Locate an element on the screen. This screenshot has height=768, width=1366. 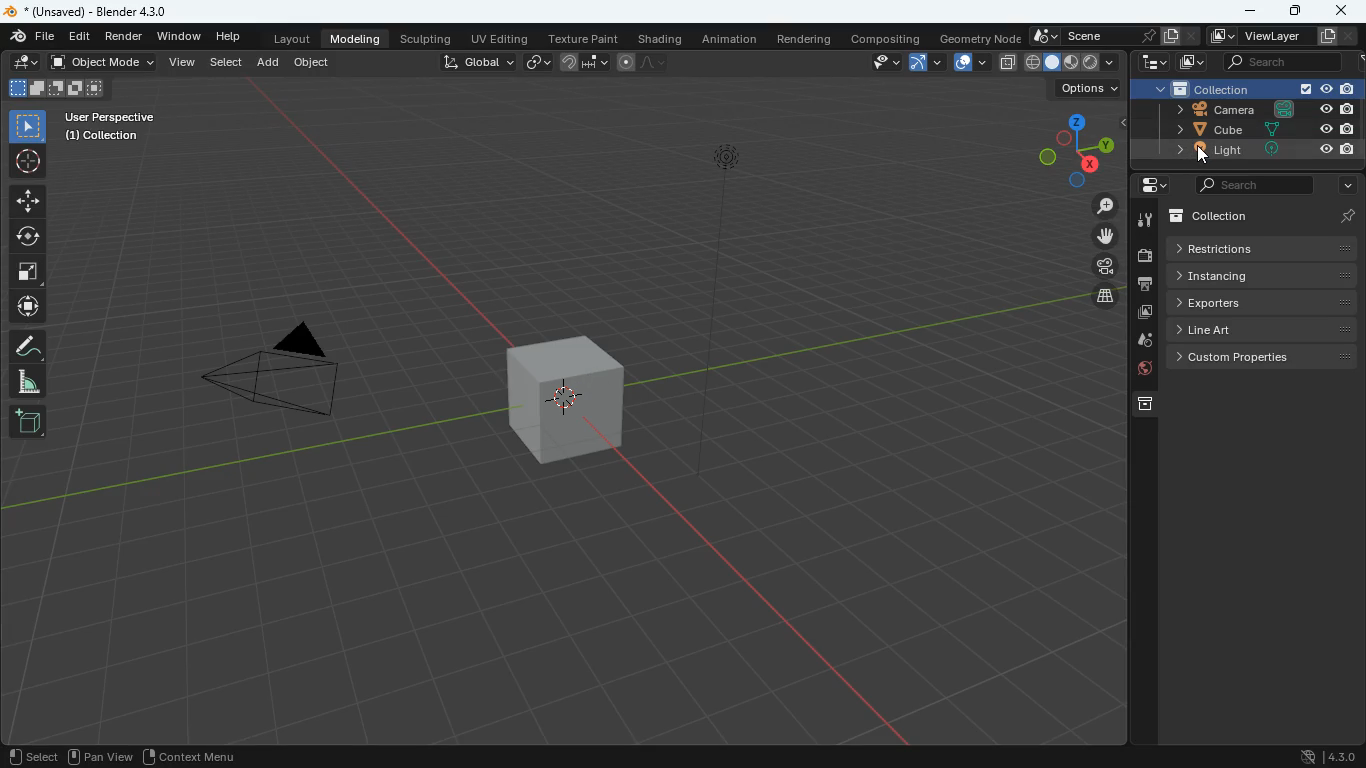
select is located at coordinates (32, 756).